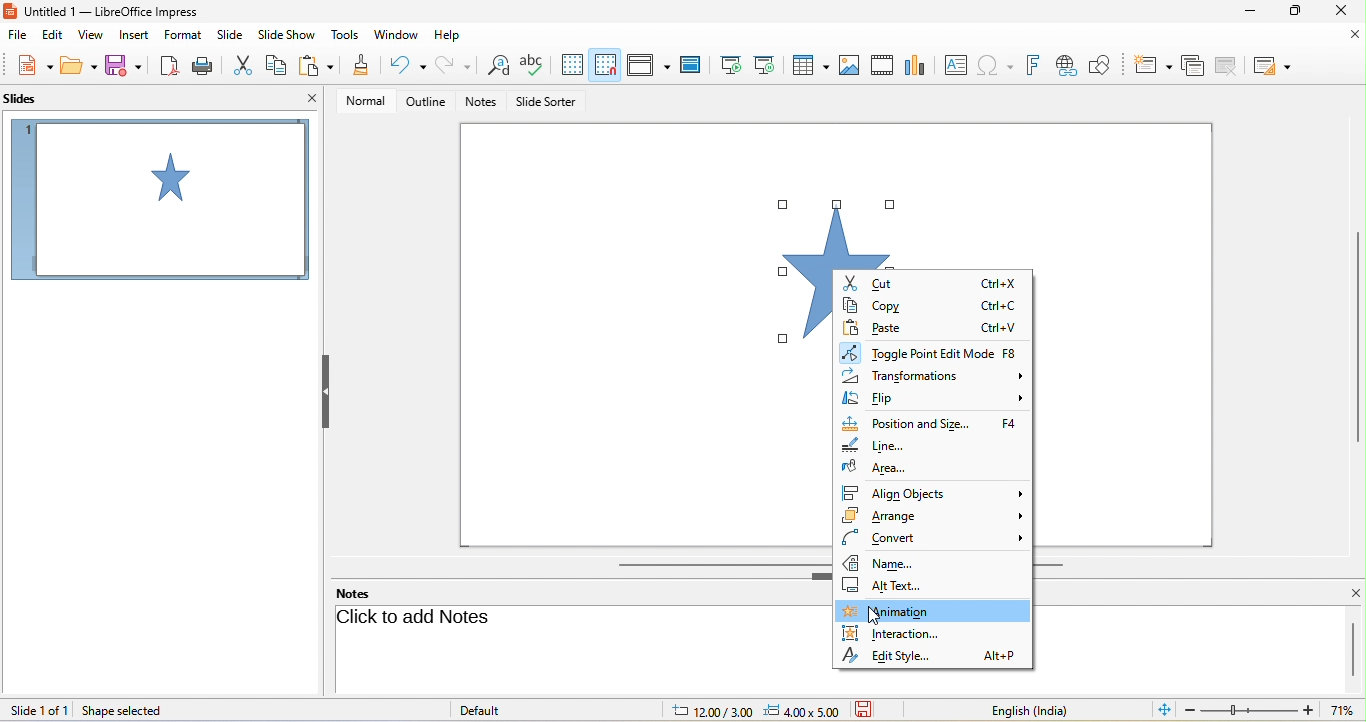 The width and height of the screenshot is (1366, 722). I want to click on notes, so click(483, 102).